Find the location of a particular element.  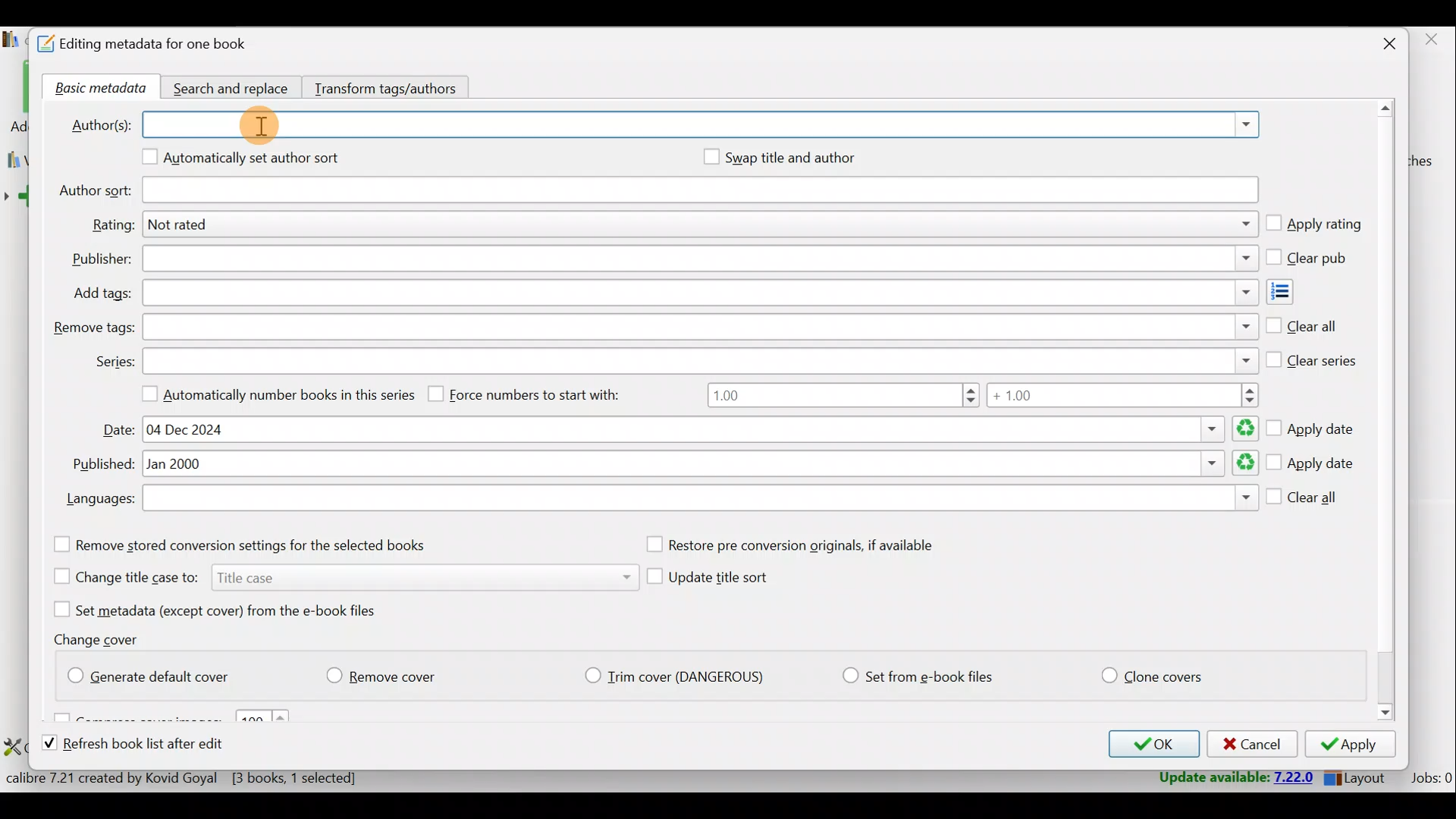

Apply rating is located at coordinates (1313, 225).